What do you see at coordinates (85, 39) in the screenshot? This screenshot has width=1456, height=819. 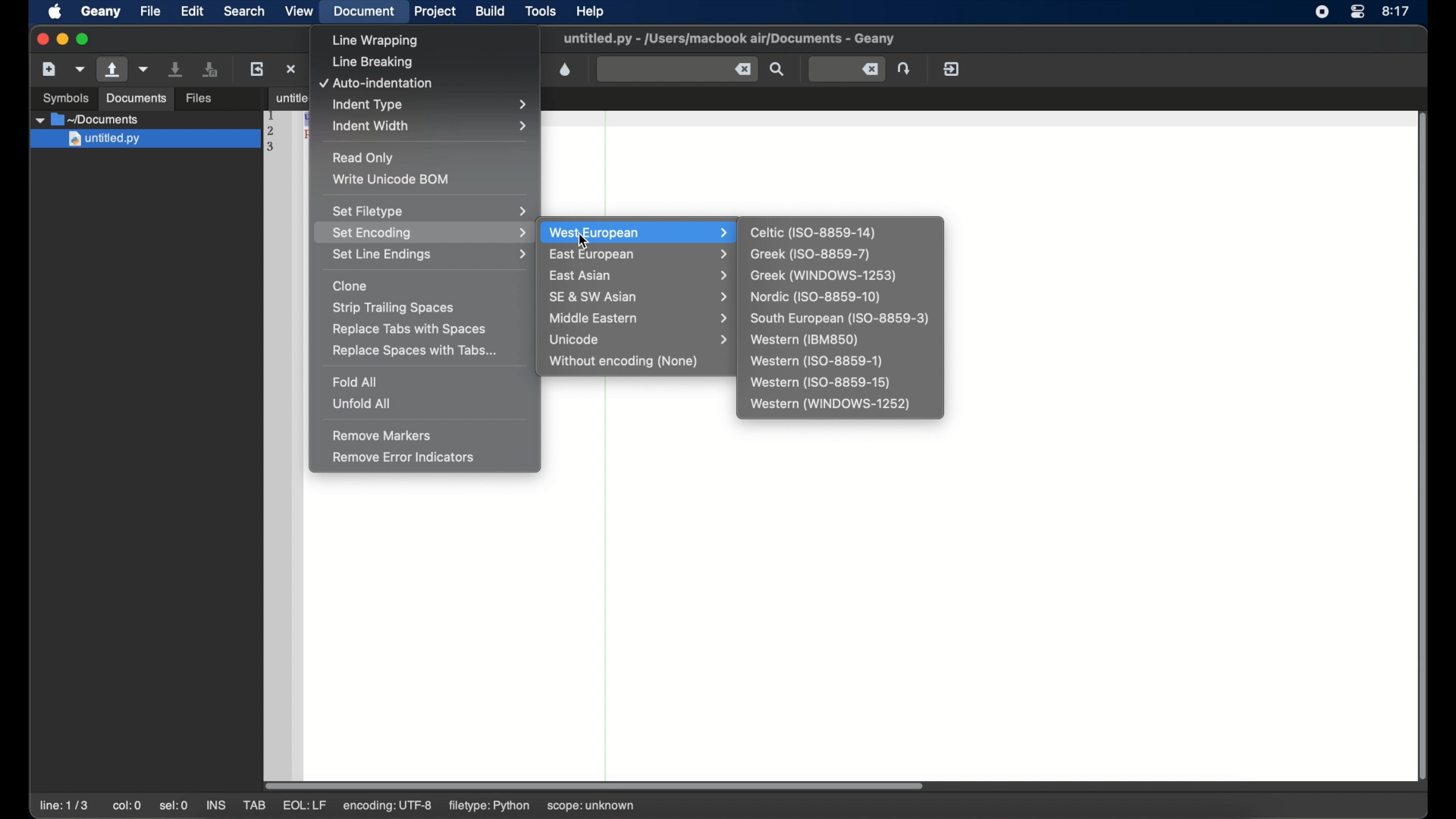 I see `maximize` at bounding box center [85, 39].